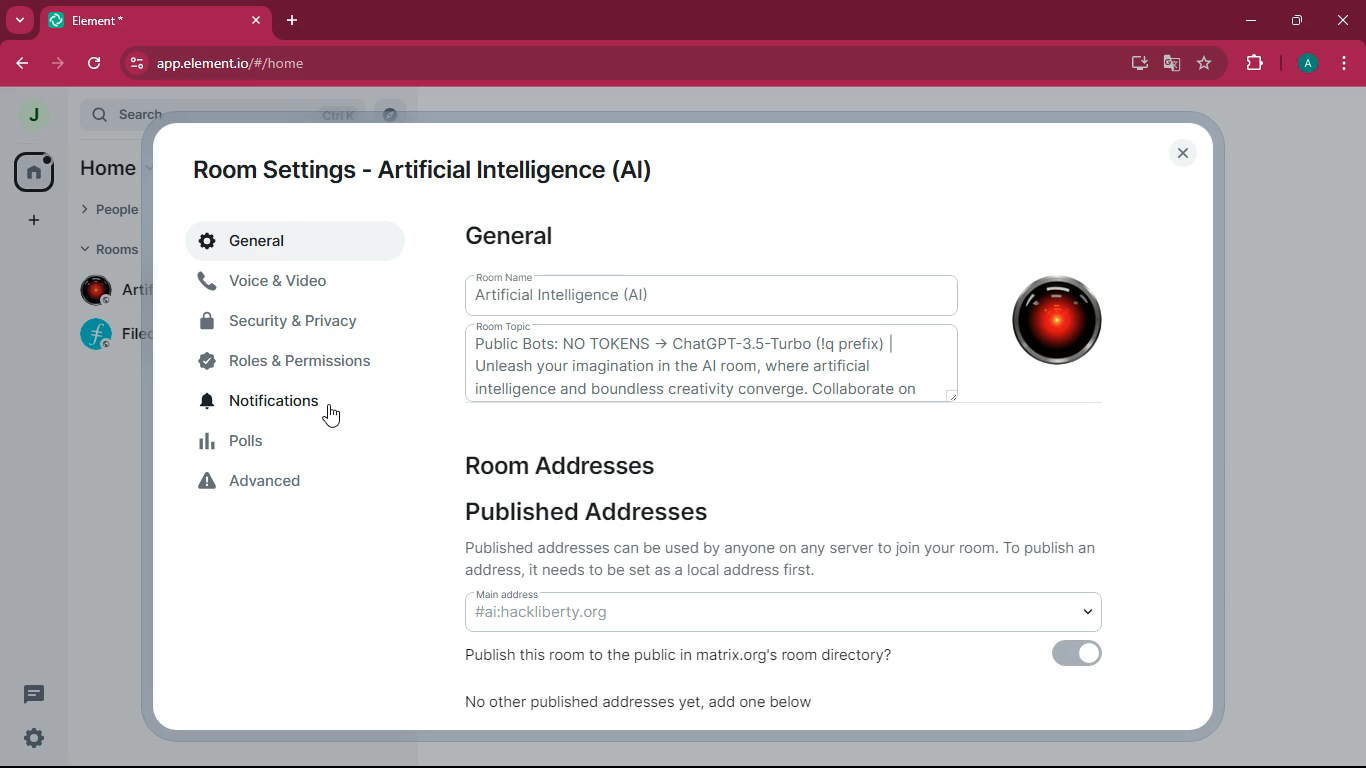 The height and width of the screenshot is (768, 1366). I want to click on home, so click(38, 173).